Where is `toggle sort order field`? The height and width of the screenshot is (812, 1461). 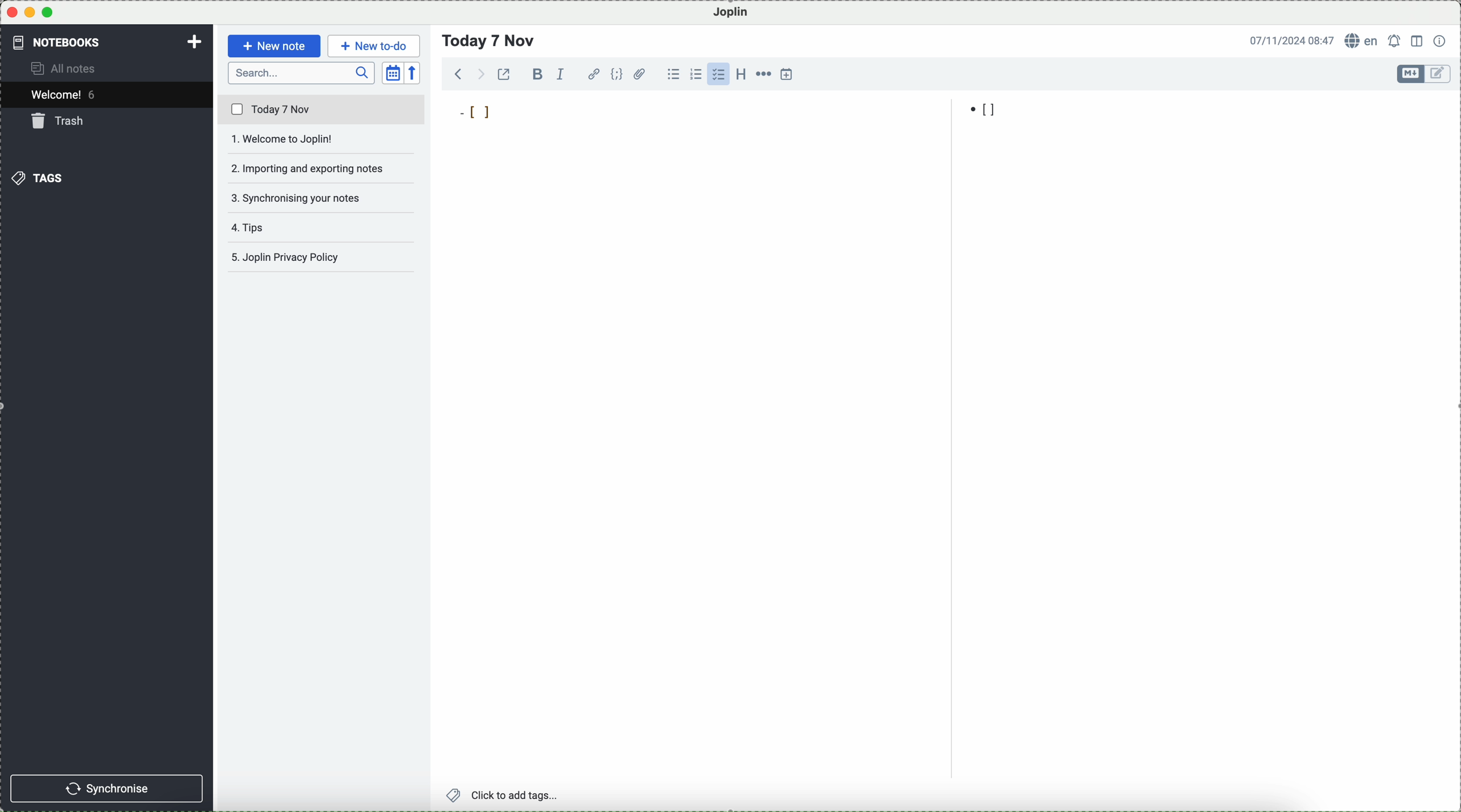
toggle sort order field is located at coordinates (393, 73).